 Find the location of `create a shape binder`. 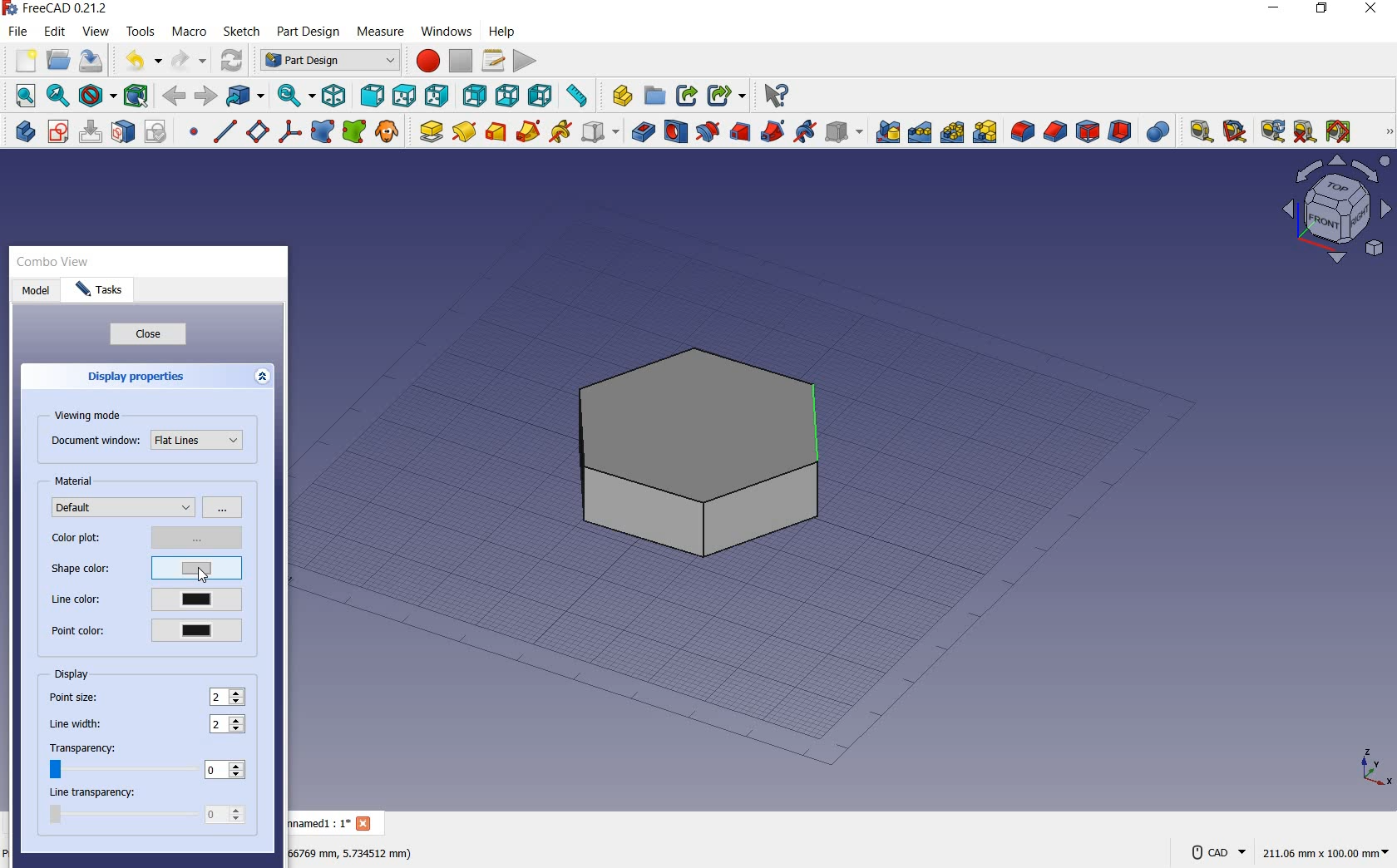

create a shape binder is located at coordinates (323, 133).